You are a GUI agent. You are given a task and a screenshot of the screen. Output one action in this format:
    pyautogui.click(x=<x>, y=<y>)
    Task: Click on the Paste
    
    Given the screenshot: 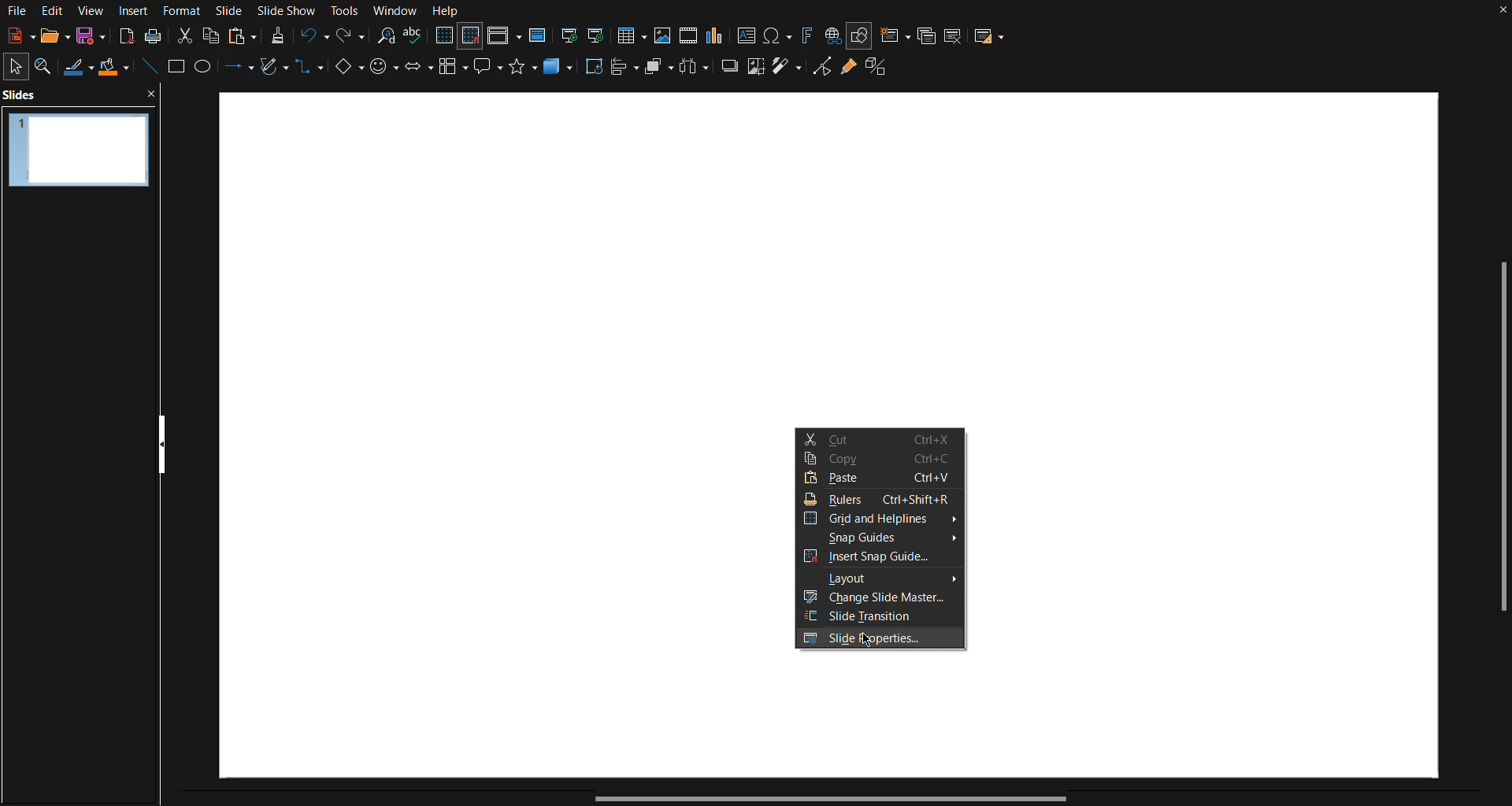 What is the action you would take?
    pyautogui.click(x=242, y=35)
    